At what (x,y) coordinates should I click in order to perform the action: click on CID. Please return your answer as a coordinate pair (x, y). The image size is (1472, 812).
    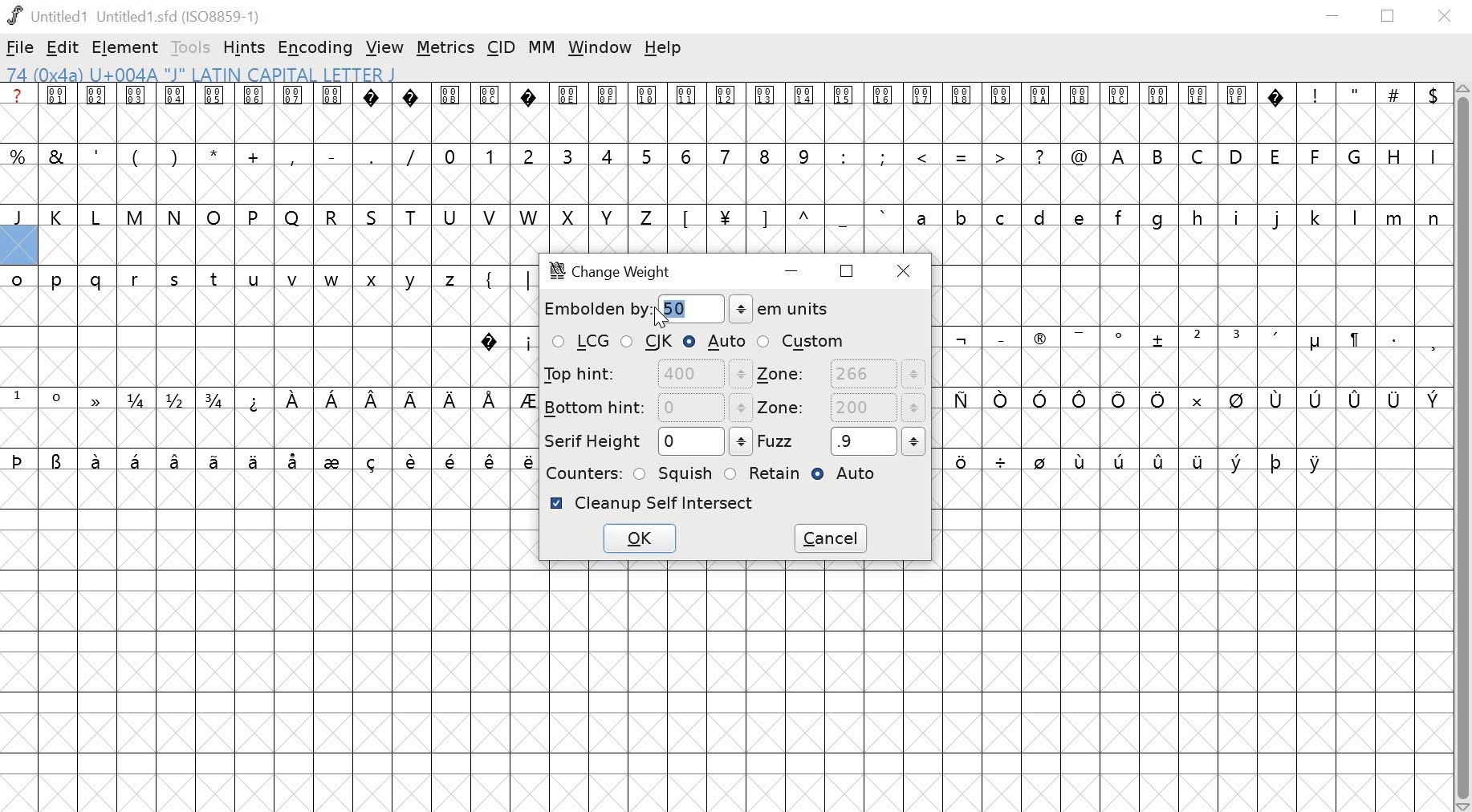
    Looking at the image, I should click on (502, 47).